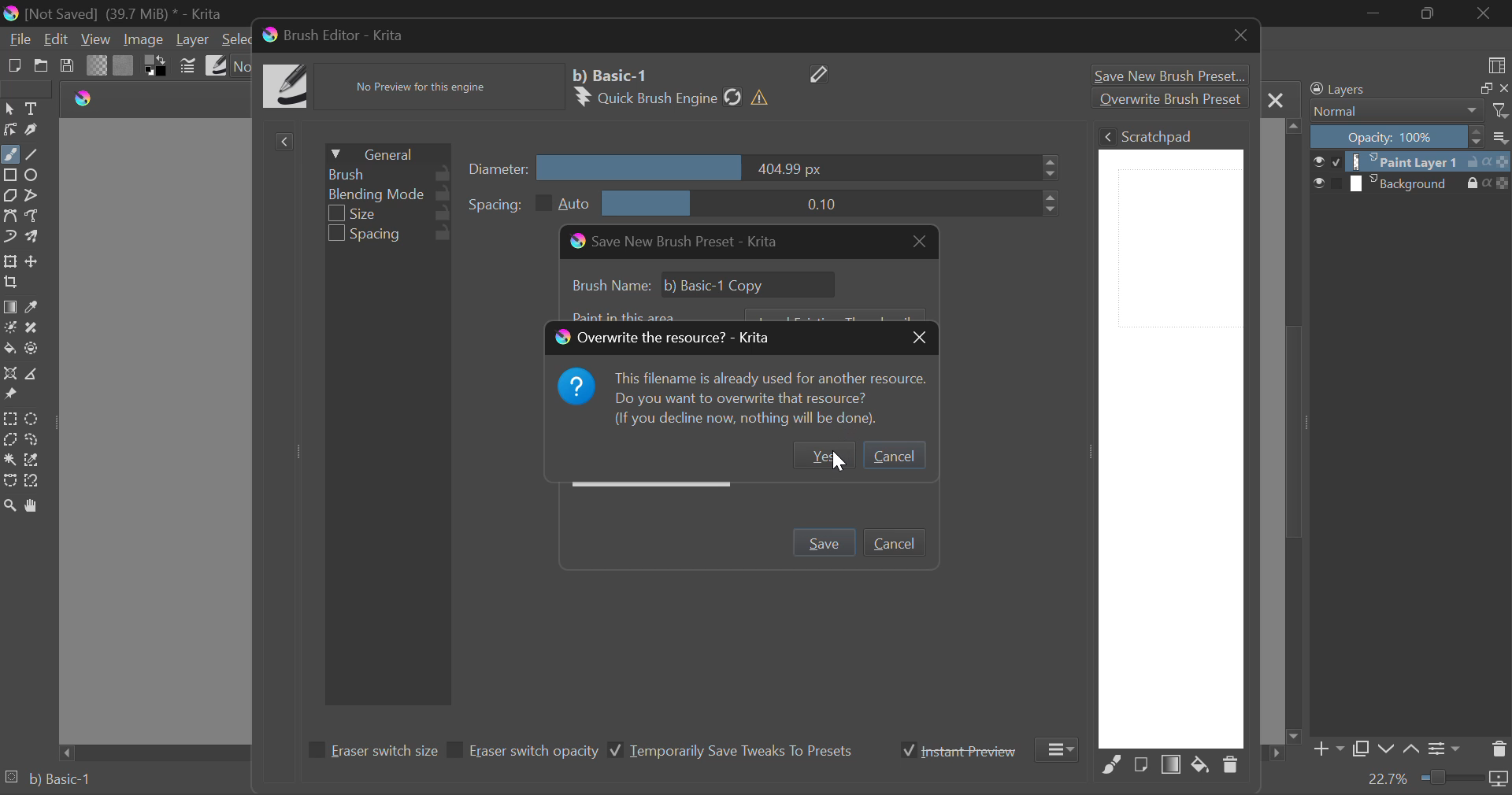  What do you see at coordinates (31, 460) in the screenshot?
I see `Similar Color Selector` at bounding box center [31, 460].